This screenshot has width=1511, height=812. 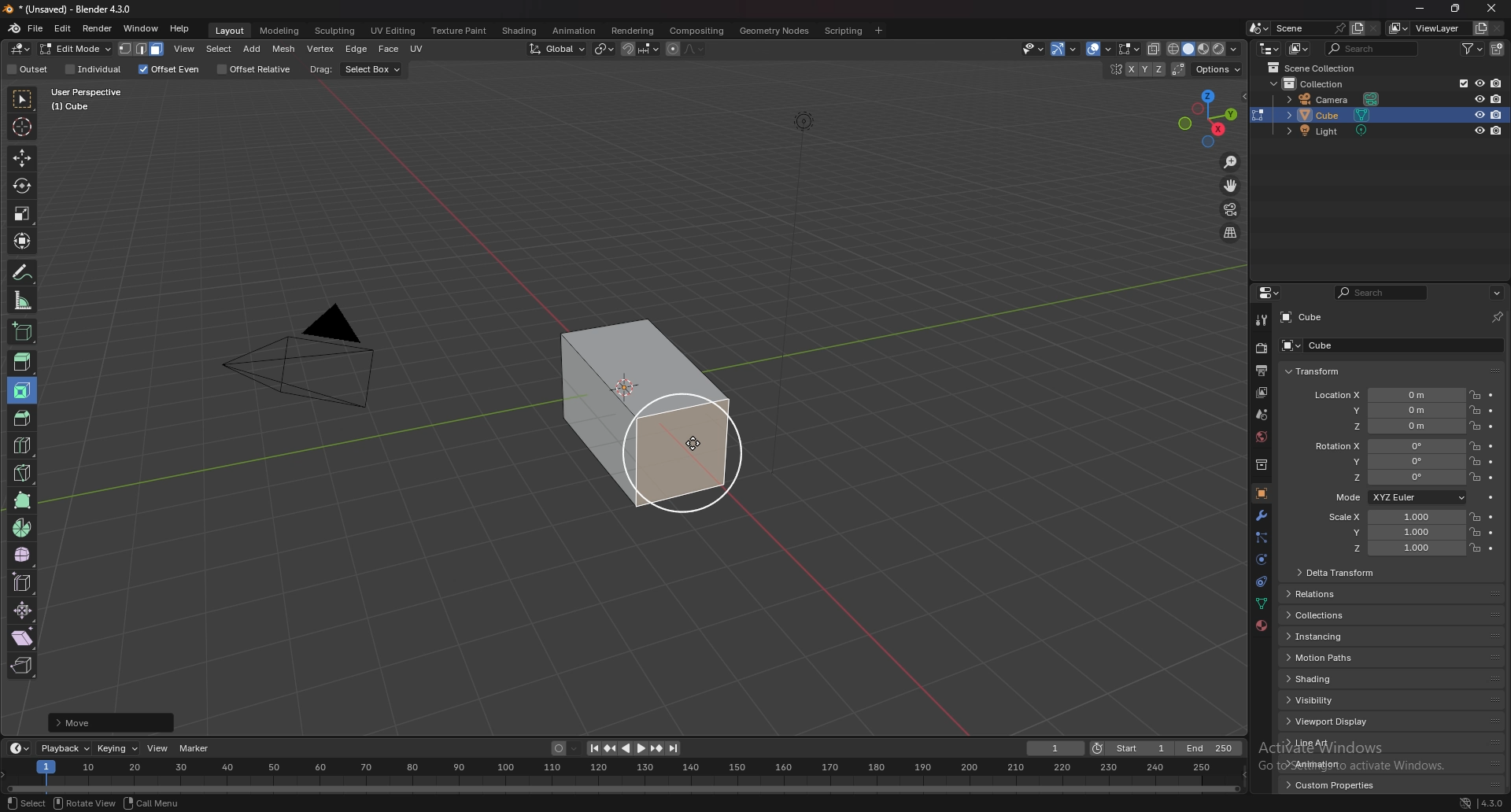 What do you see at coordinates (23, 362) in the screenshot?
I see `extrude region` at bounding box center [23, 362].